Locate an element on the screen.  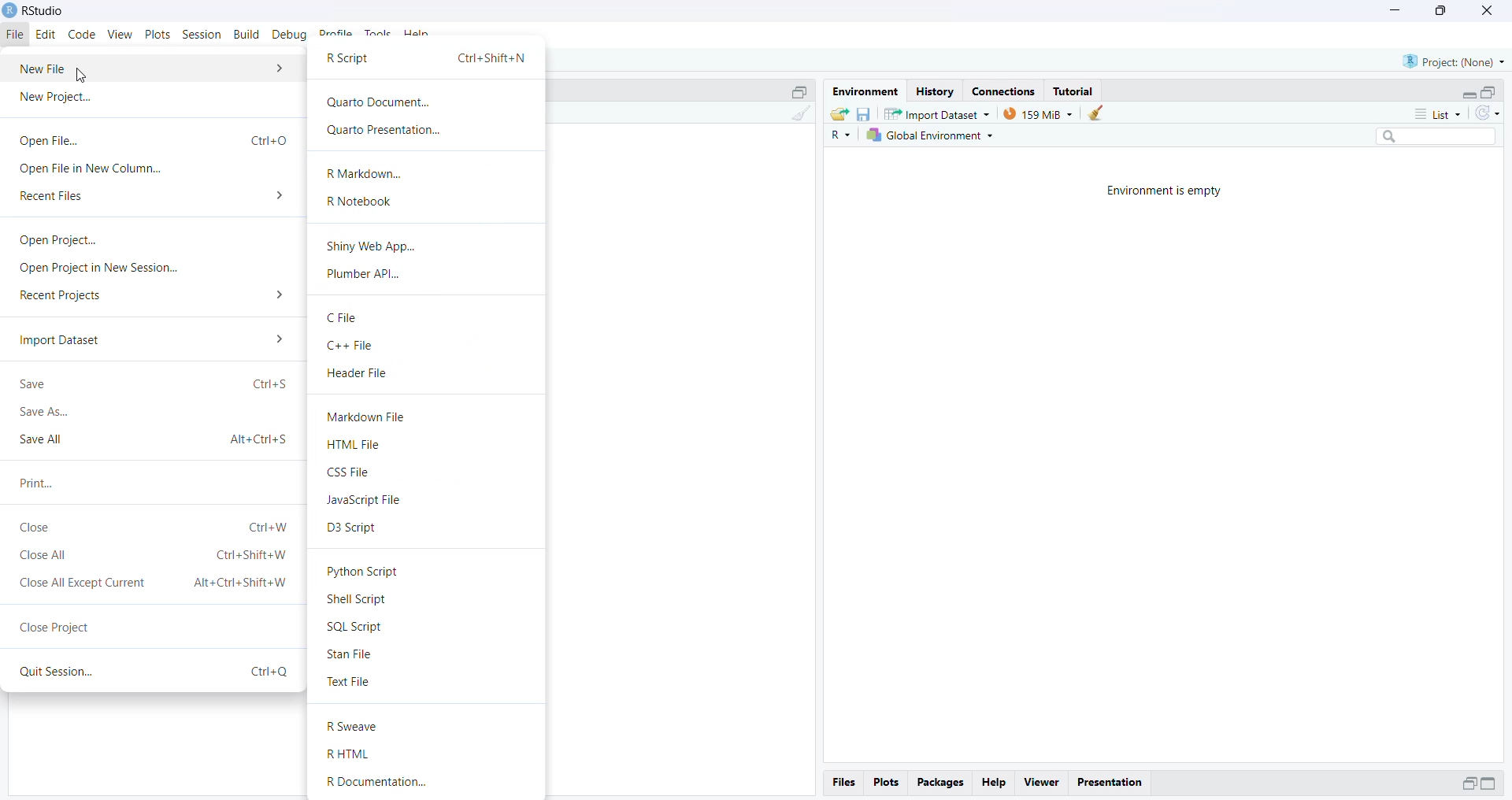
expand is located at coordinates (1469, 94).